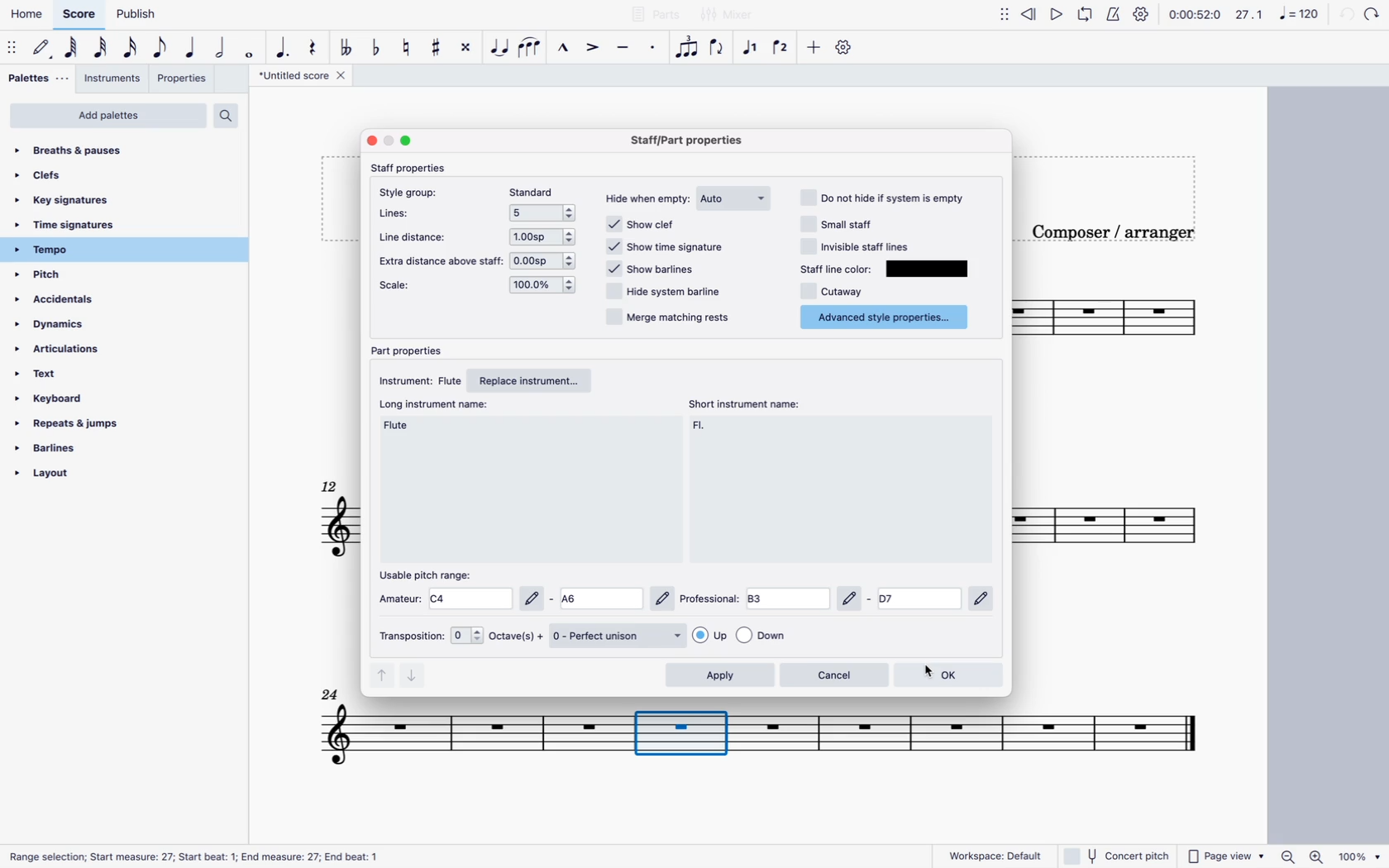 This screenshot has height=868, width=1389. Describe the element at coordinates (112, 81) in the screenshot. I see `instruments` at that location.